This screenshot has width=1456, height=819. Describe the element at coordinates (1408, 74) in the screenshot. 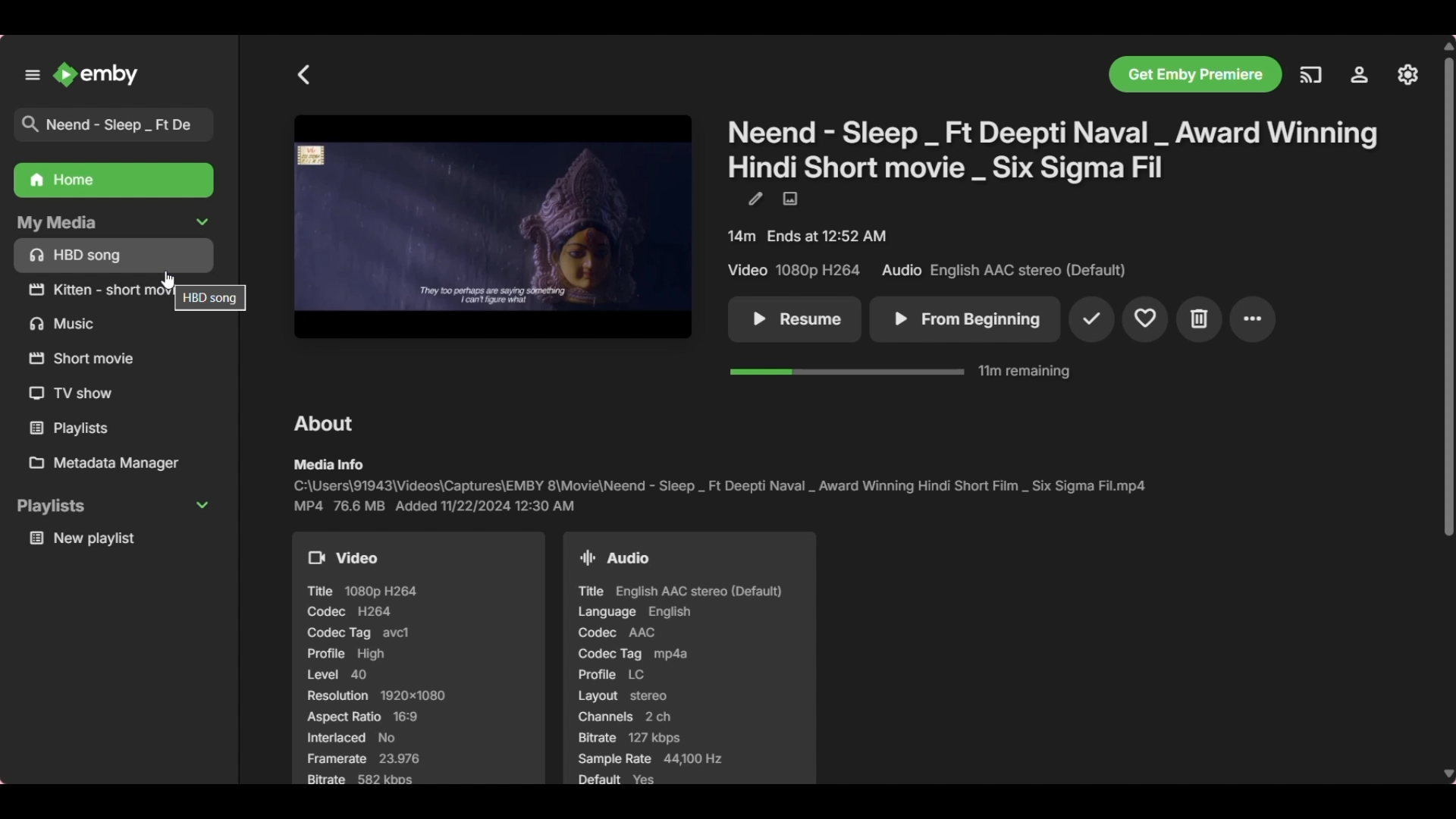

I see `Manage Emby server` at that location.